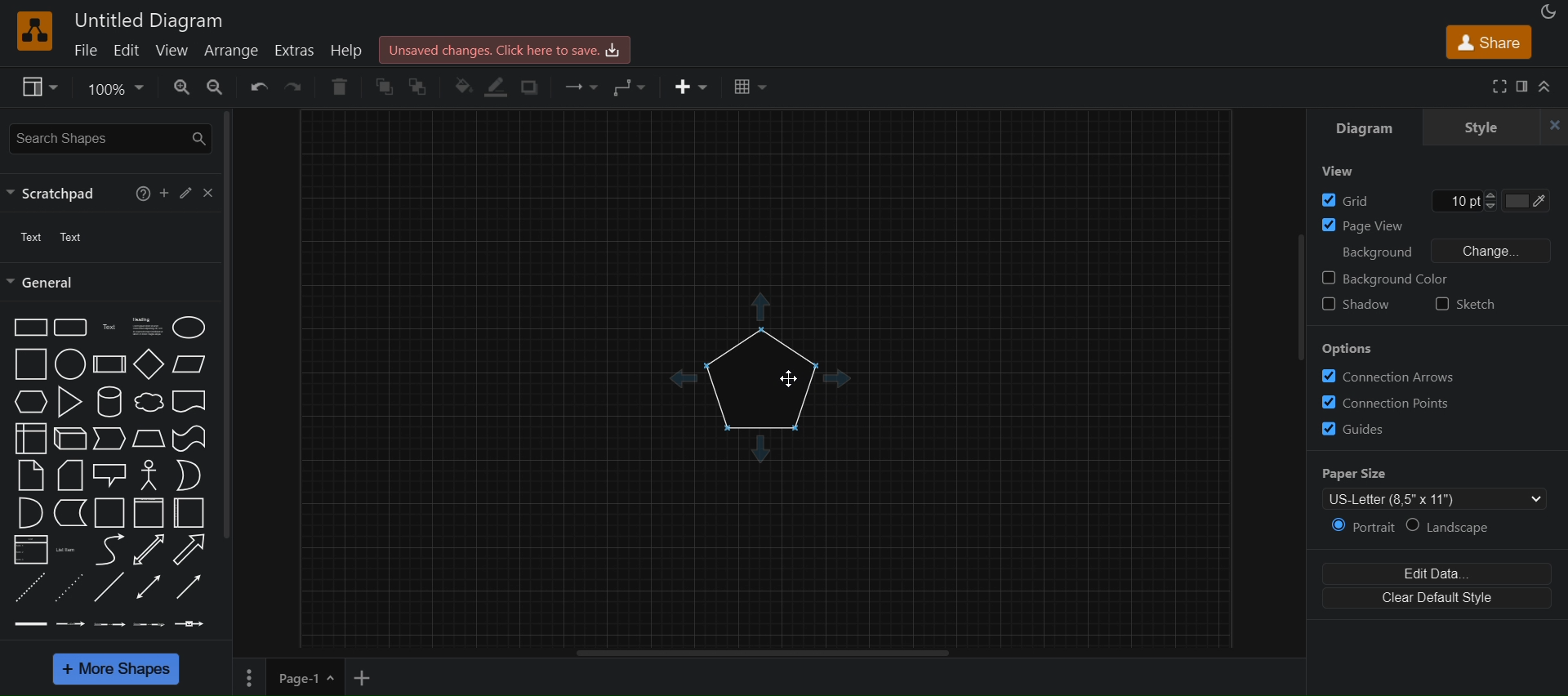 Image resolution: width=1568 pixels, height=696 pixels. Describe the element at coordinates (1437, 598) in the screenshot. I see `clear default style` at that location.